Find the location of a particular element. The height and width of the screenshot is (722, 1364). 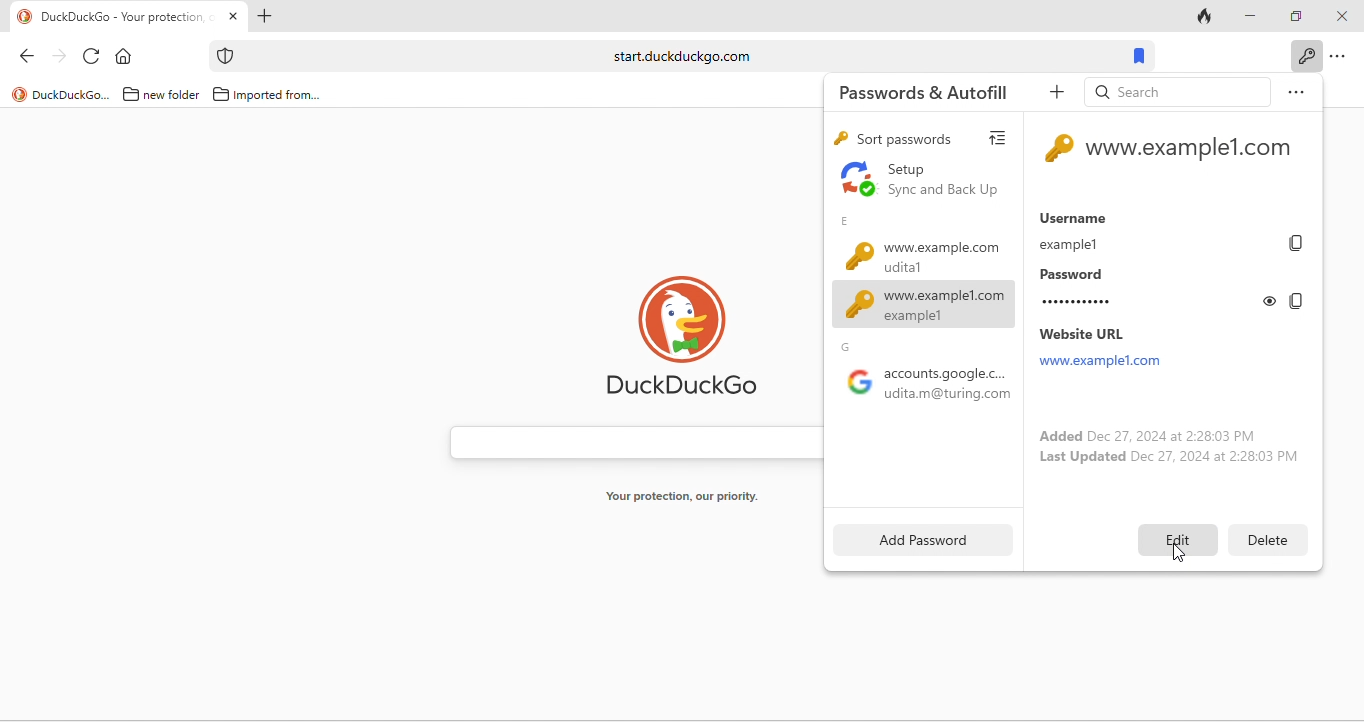

password is located at coordinates (1073, 274).